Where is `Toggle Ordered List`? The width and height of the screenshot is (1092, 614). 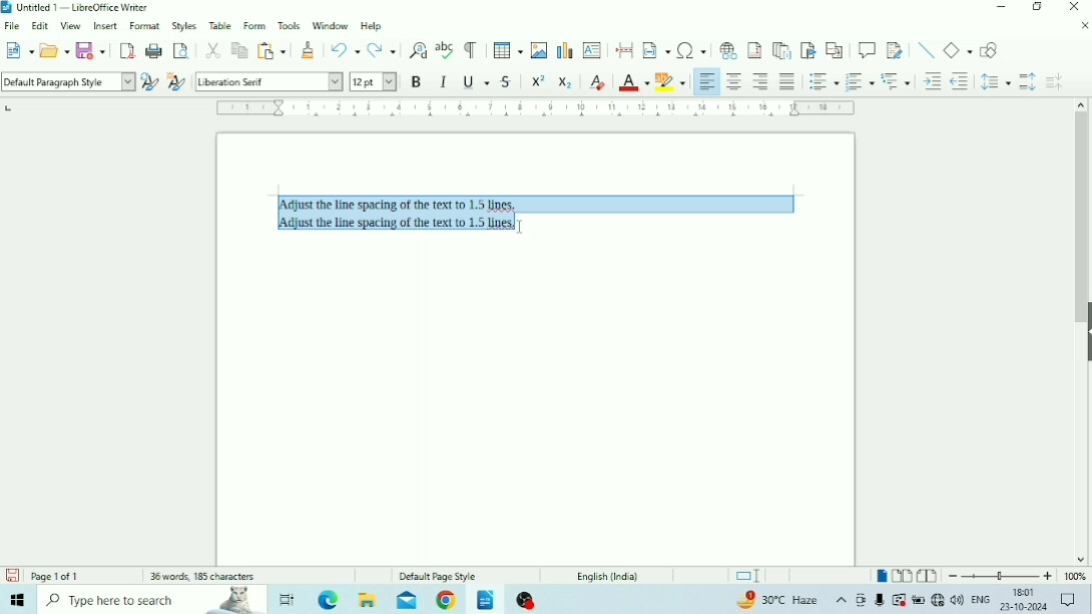
Toggle Ordered List is located at coordinates (859, 80).